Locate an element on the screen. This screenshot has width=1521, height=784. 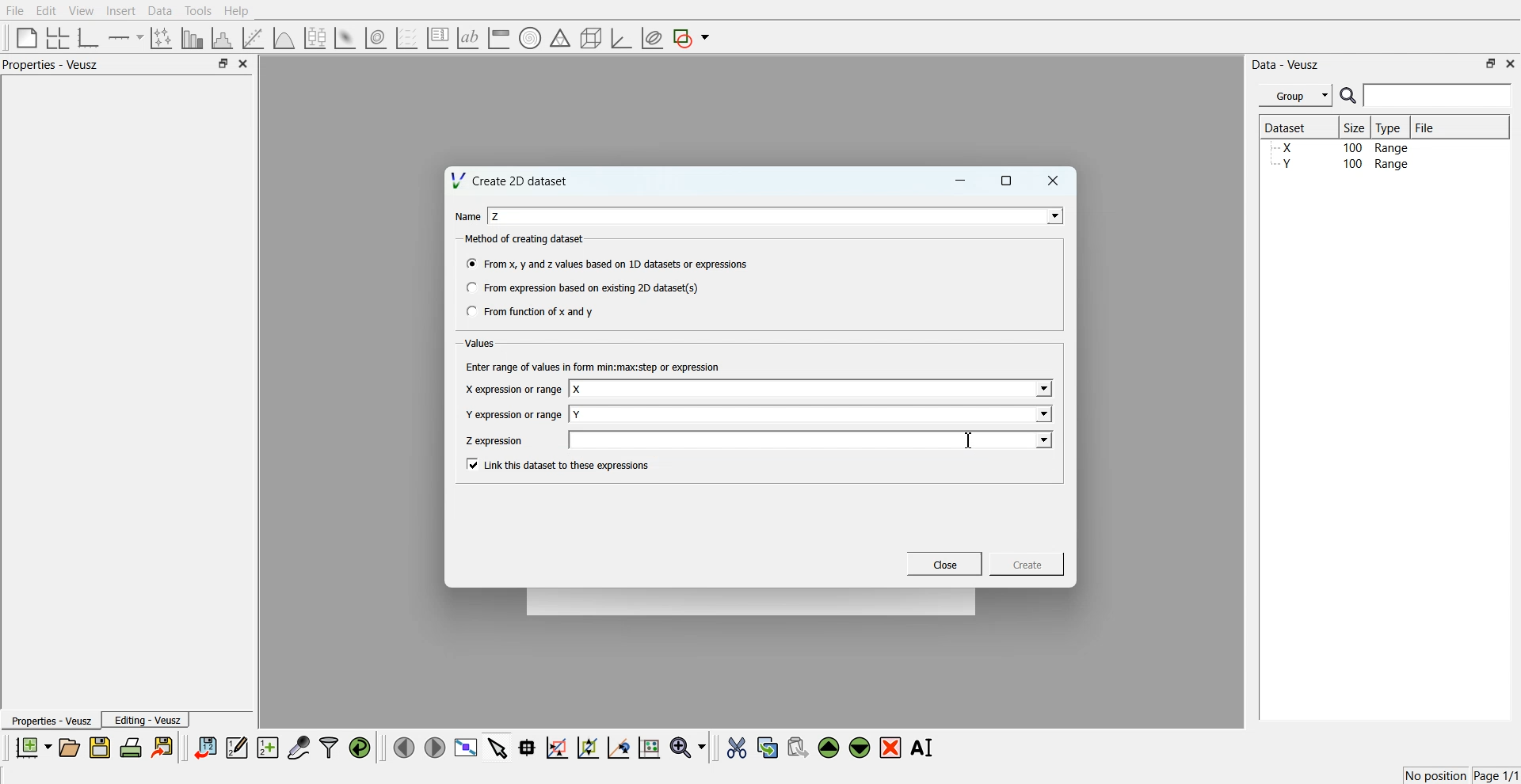
Edit and enter new dataset is located at coordinates (236, 747).